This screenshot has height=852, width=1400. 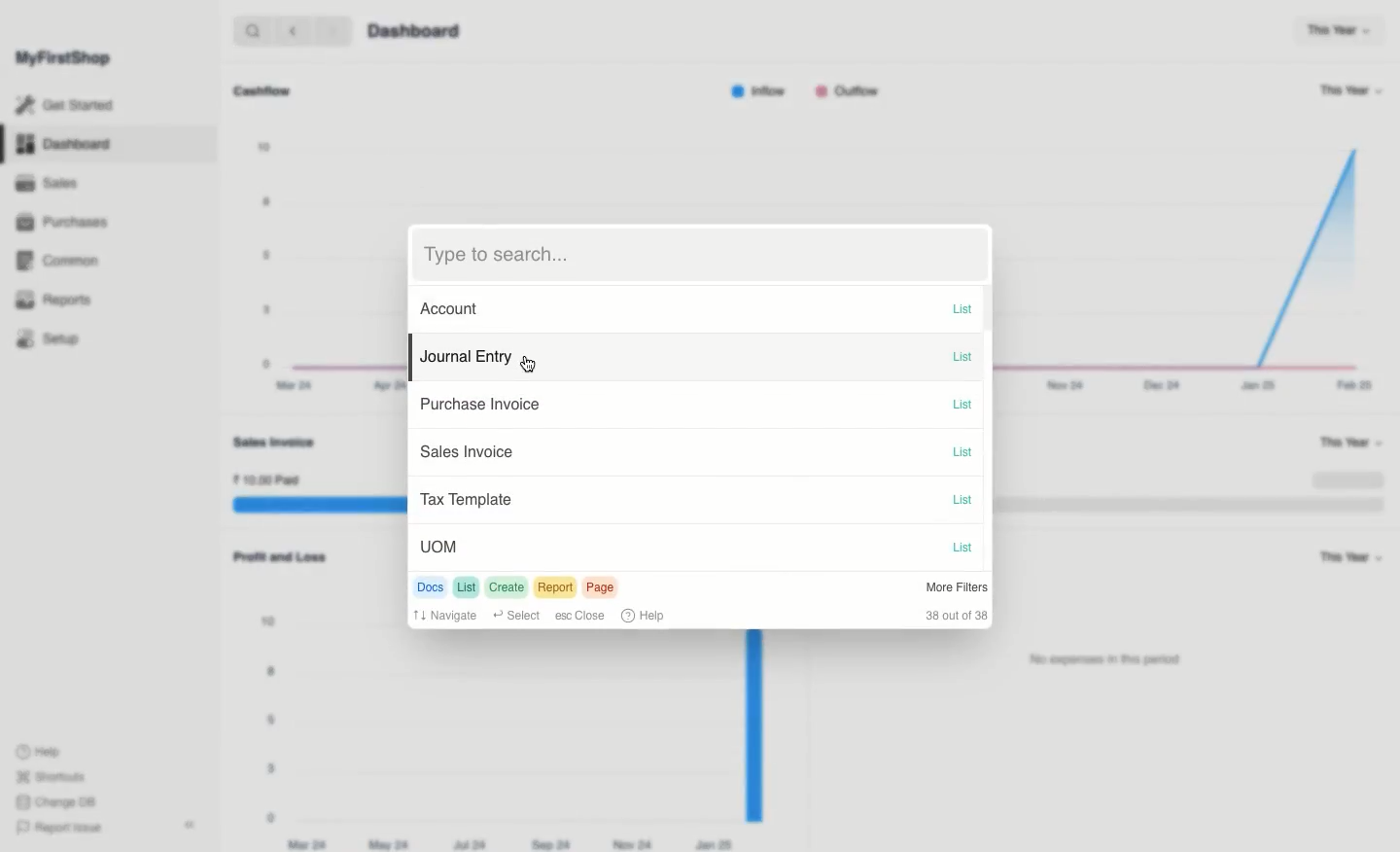 I want to click on Sep 24, so click(x=551, y=843).